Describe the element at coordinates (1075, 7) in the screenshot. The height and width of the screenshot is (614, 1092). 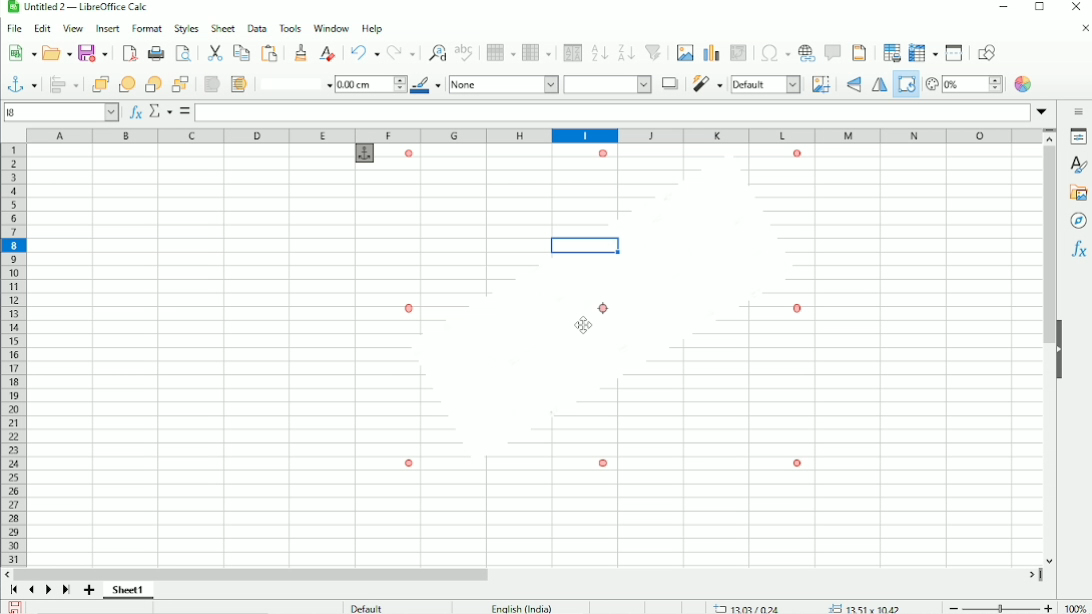
I see `Close` at that location.